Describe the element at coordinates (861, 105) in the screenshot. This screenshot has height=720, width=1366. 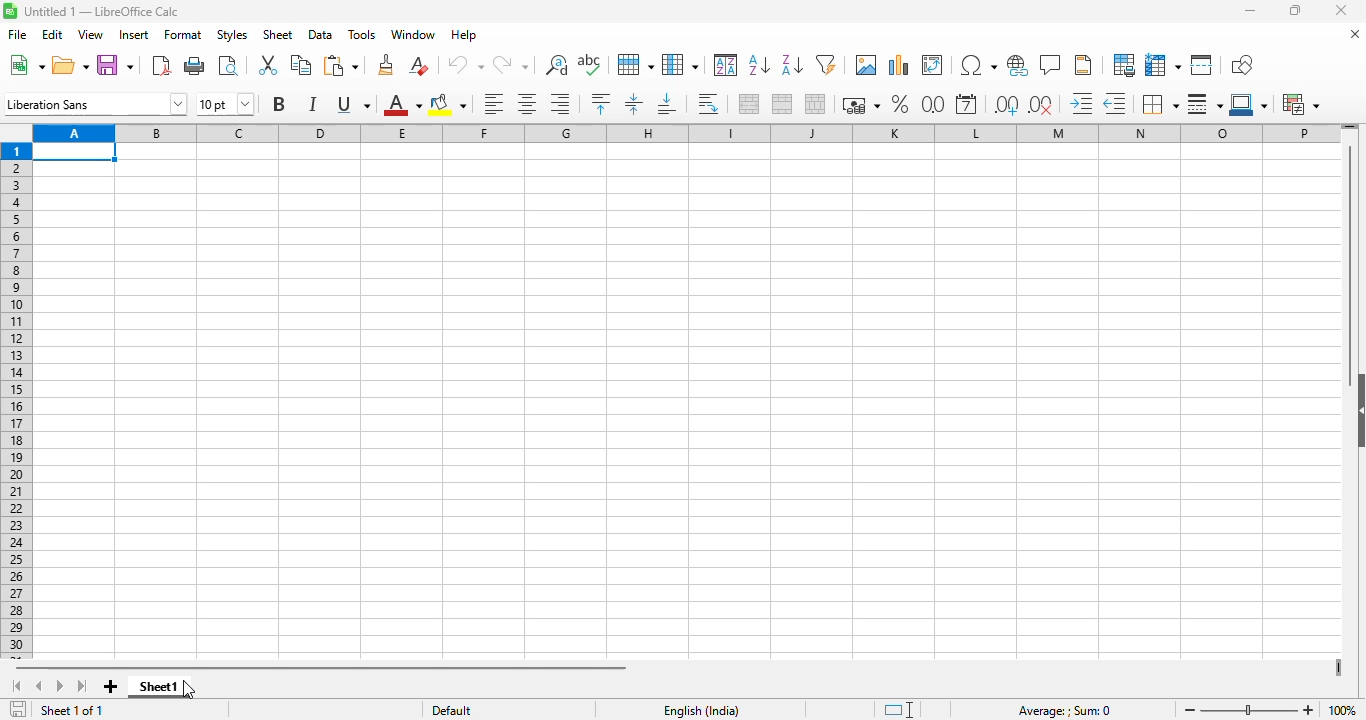
I see `format as currency` at that location.